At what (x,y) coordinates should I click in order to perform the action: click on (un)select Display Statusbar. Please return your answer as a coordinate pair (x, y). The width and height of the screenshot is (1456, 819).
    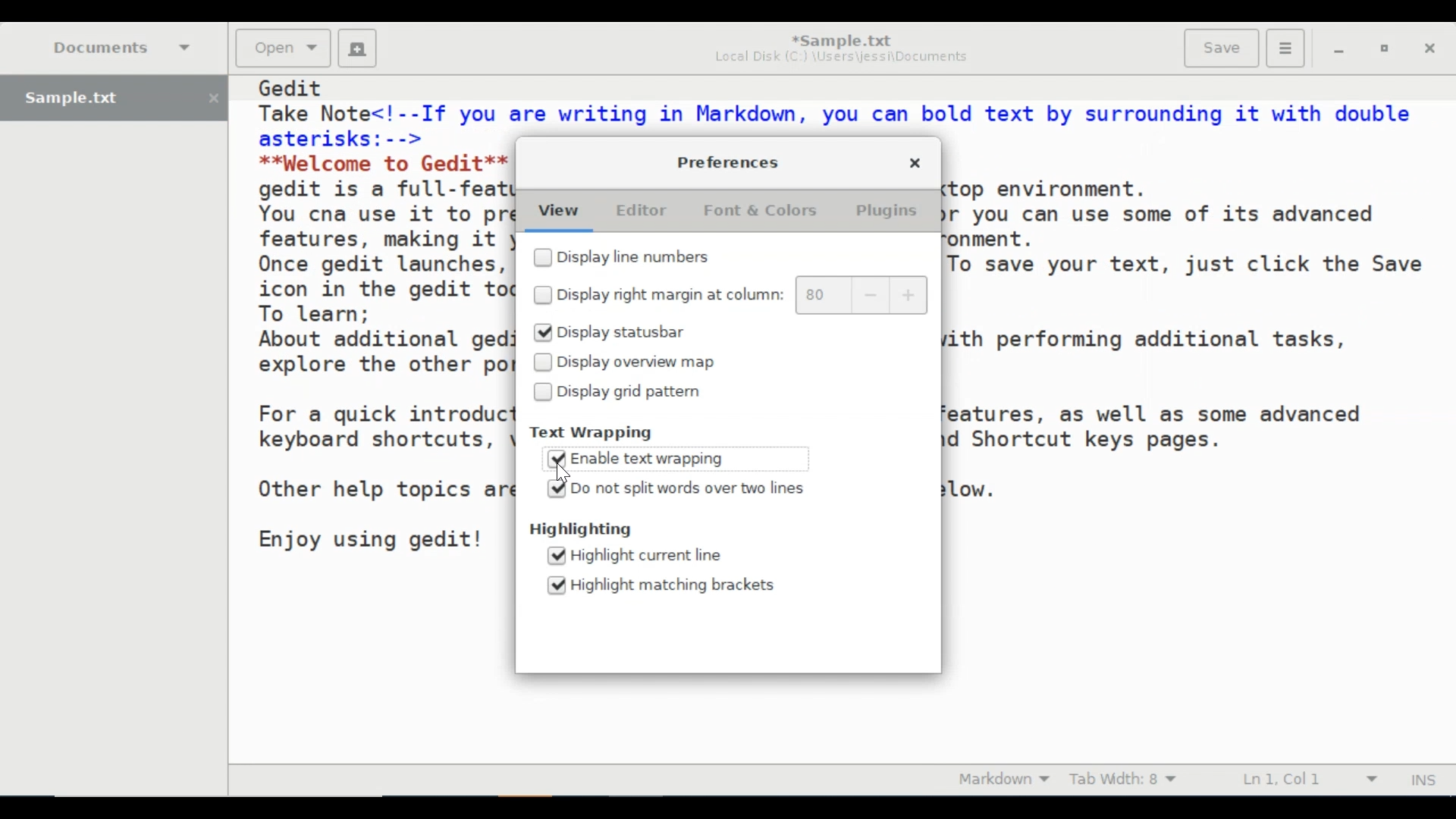
    Looking at the image, I should click on (616, 332).